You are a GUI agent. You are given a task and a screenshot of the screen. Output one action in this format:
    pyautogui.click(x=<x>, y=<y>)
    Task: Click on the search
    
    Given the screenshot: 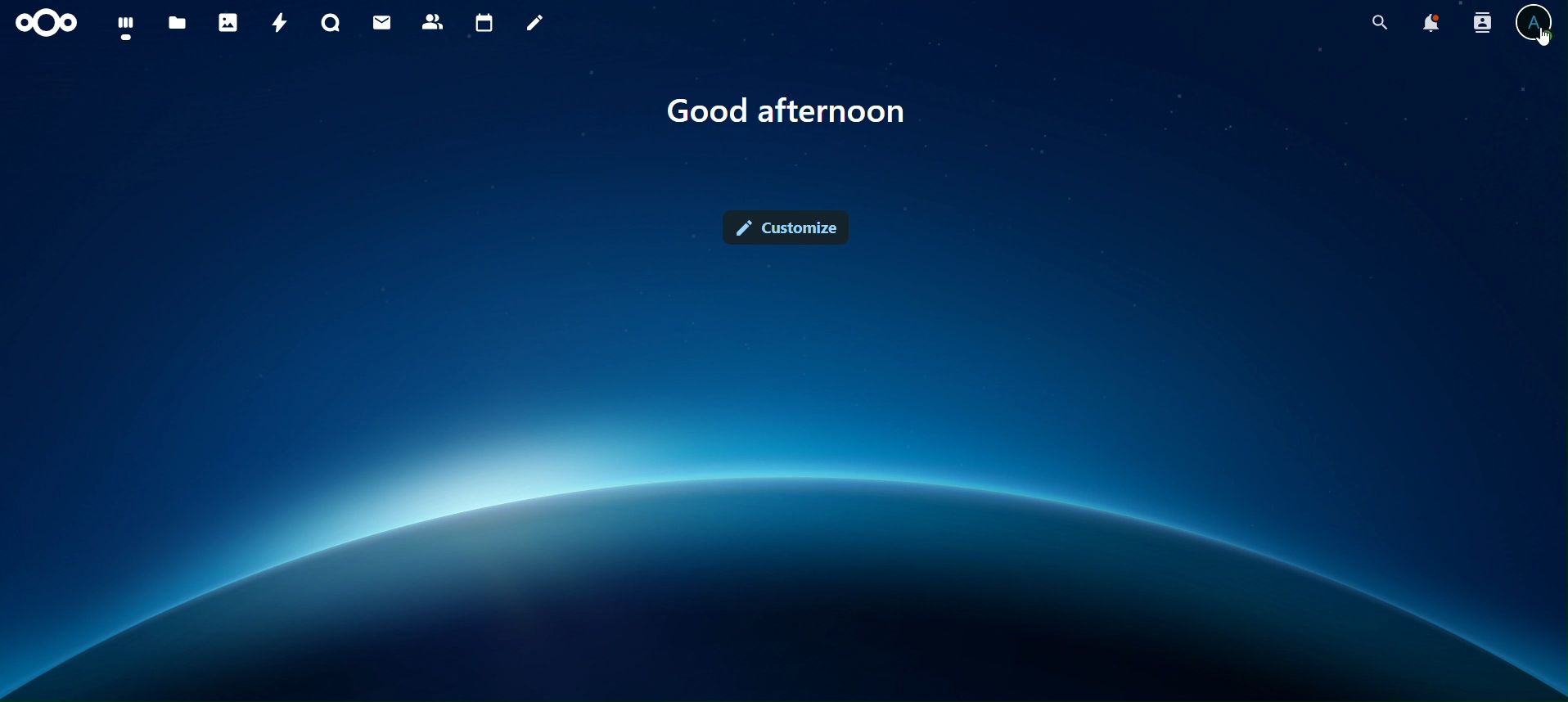 What is the action you would take?
    pyautogui.click(x=1377, y=22)
    